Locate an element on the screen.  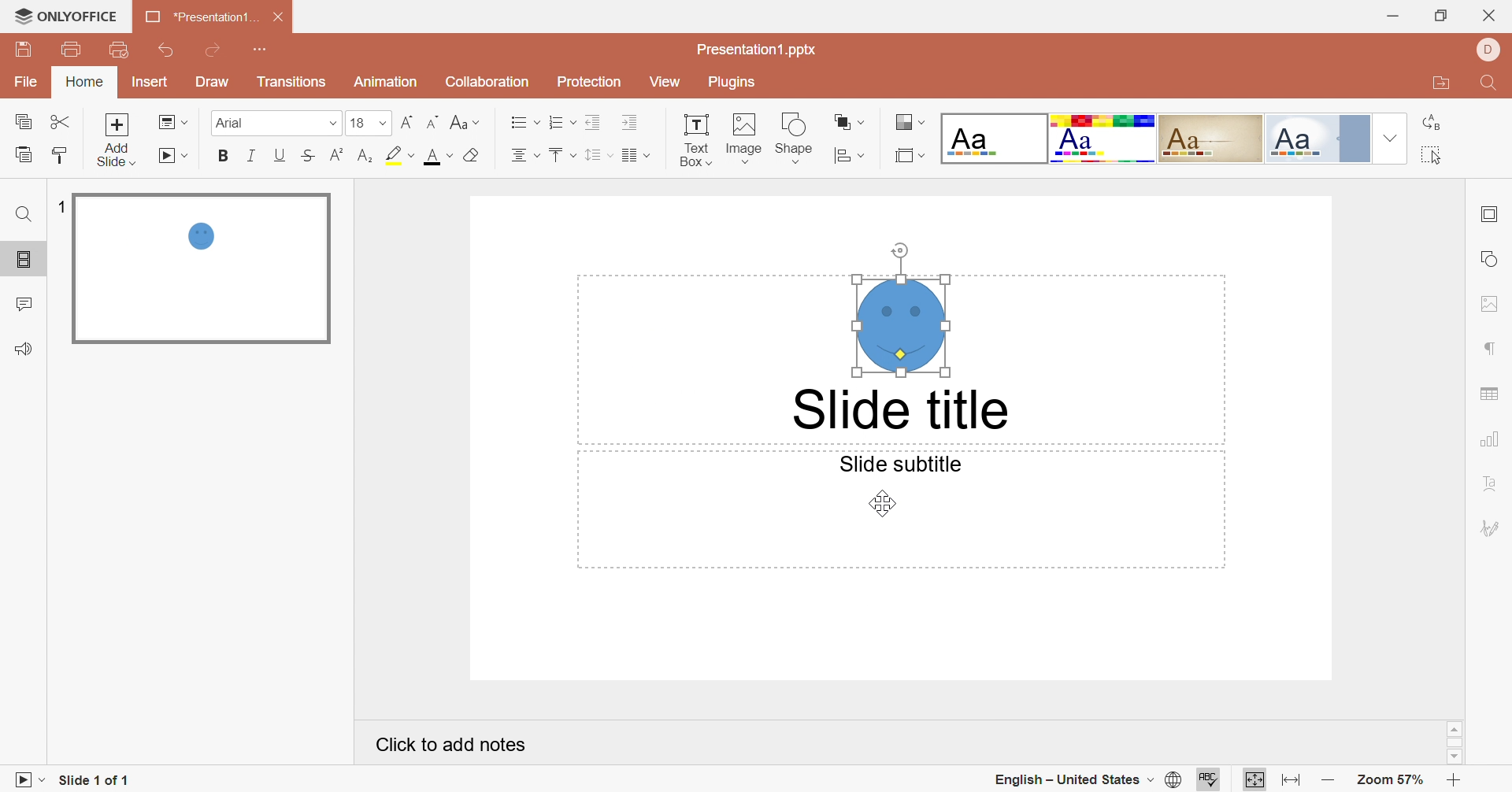
File is located at coordinates (30, 83).